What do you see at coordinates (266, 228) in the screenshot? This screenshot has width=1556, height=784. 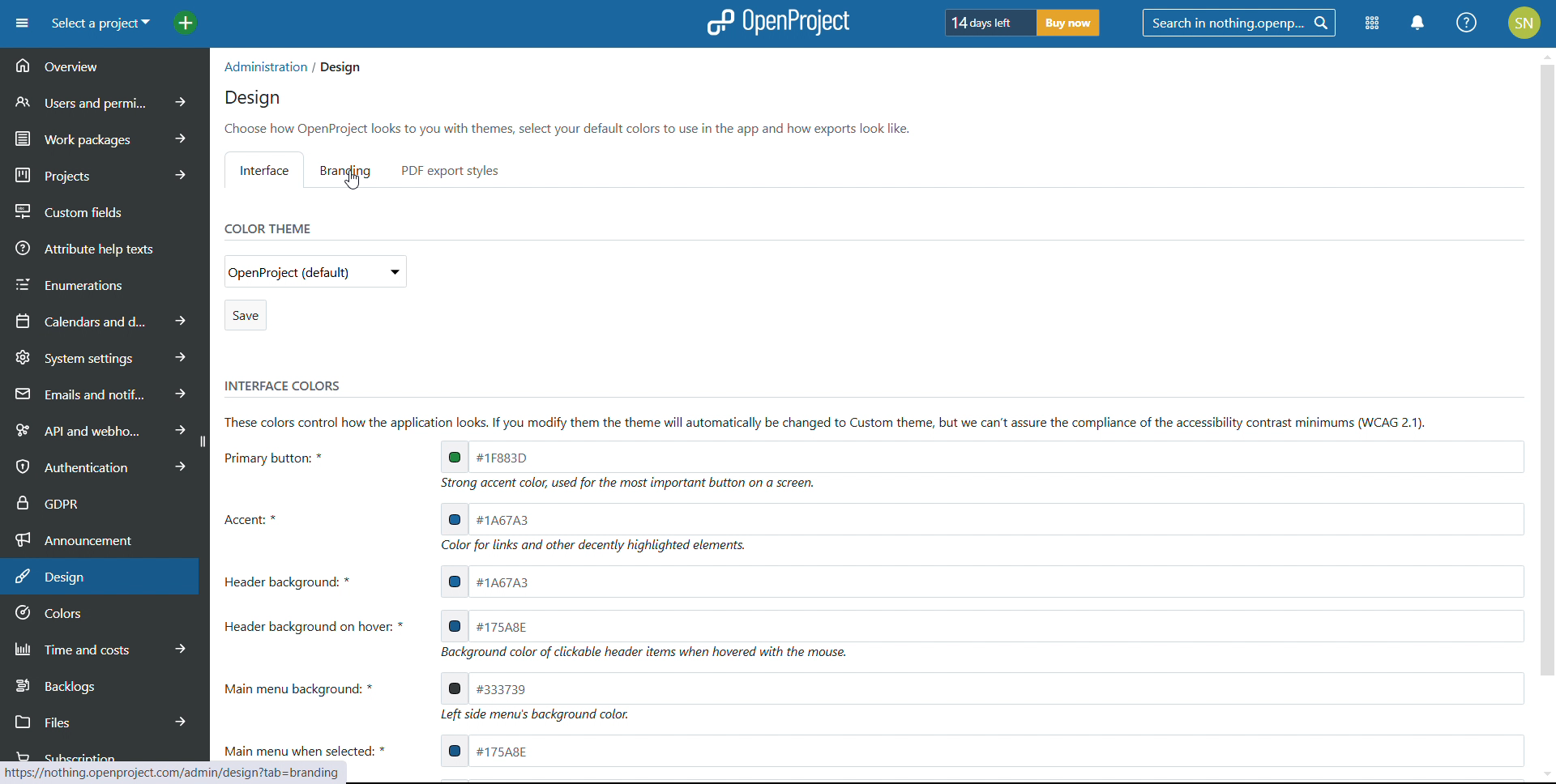 I see `color theme` at bounding box center [266, 228].